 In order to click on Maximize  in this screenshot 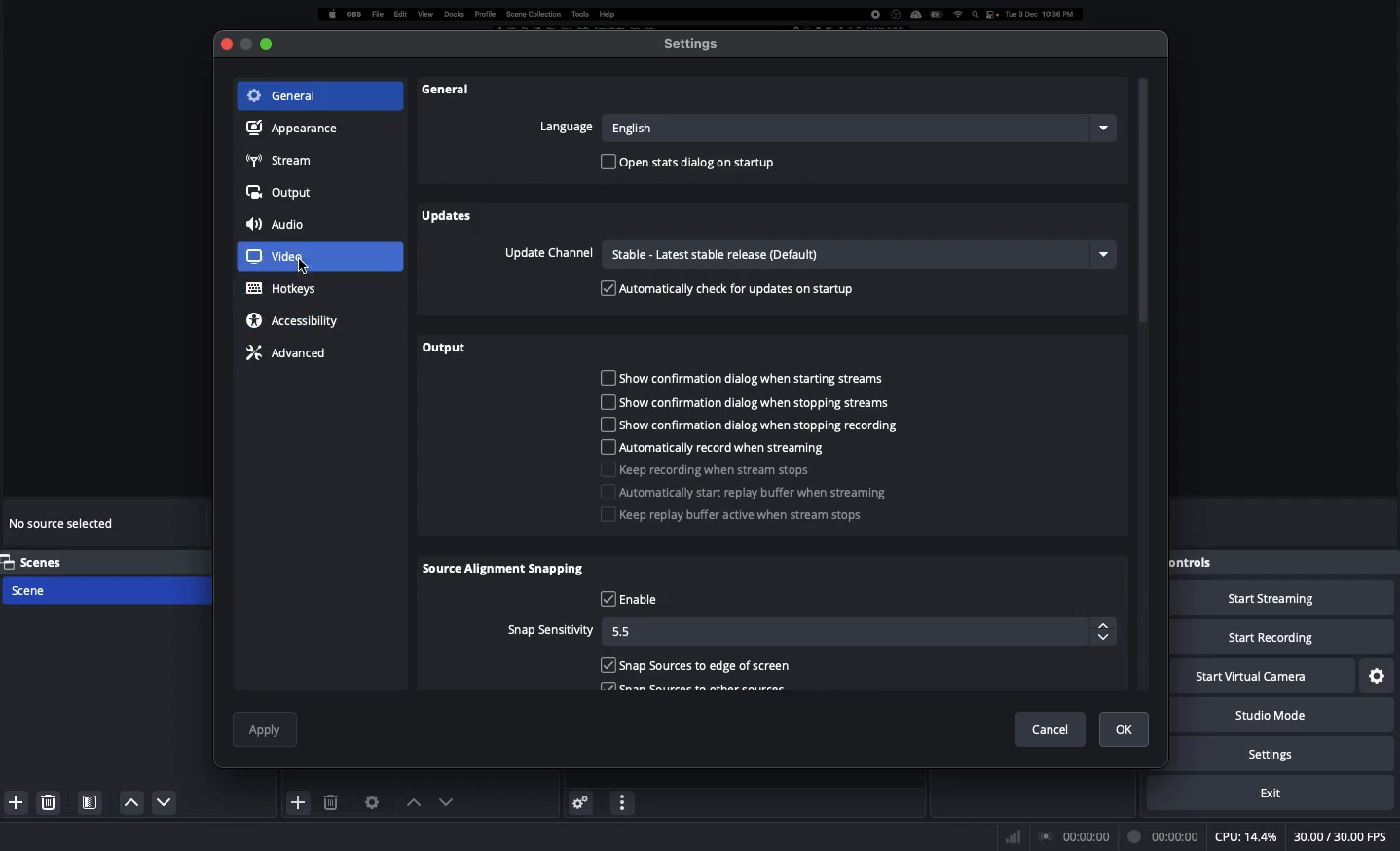, I will do `click(274, 43)`.